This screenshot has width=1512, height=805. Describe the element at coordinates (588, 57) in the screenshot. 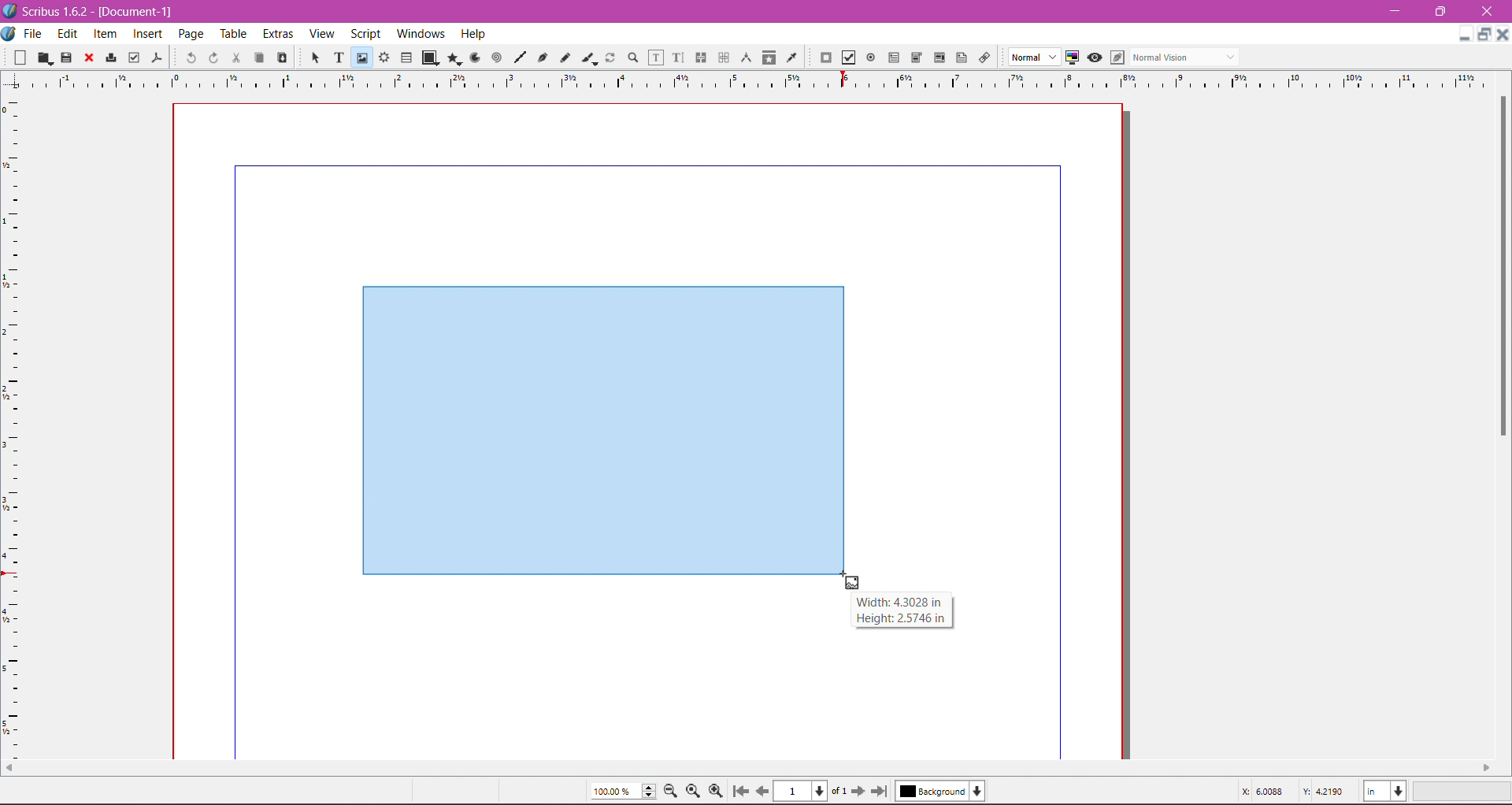

I see `Calligraphic Line` at that location.